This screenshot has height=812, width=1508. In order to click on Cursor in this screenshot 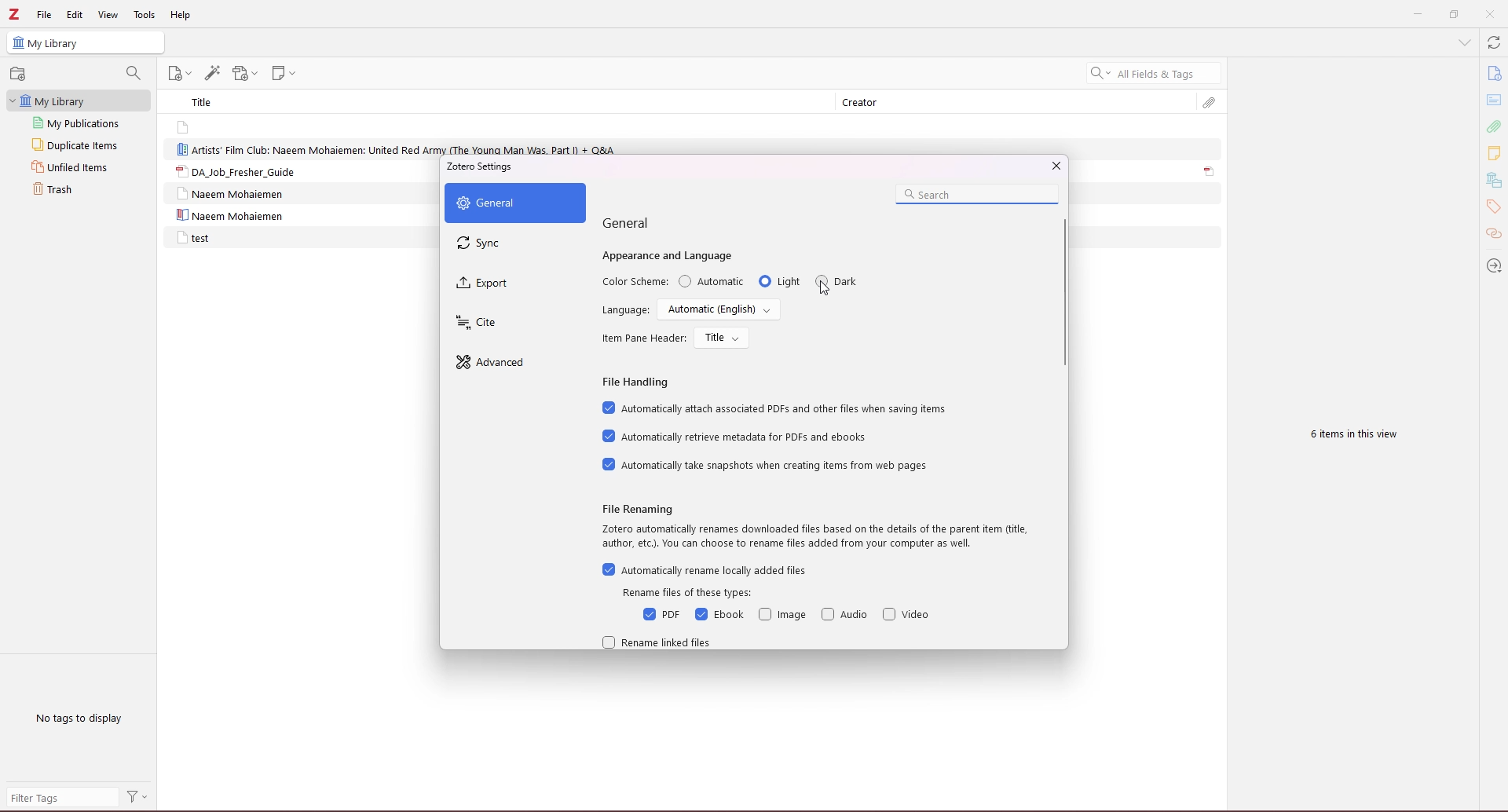, I will do `click(823, 288)`.